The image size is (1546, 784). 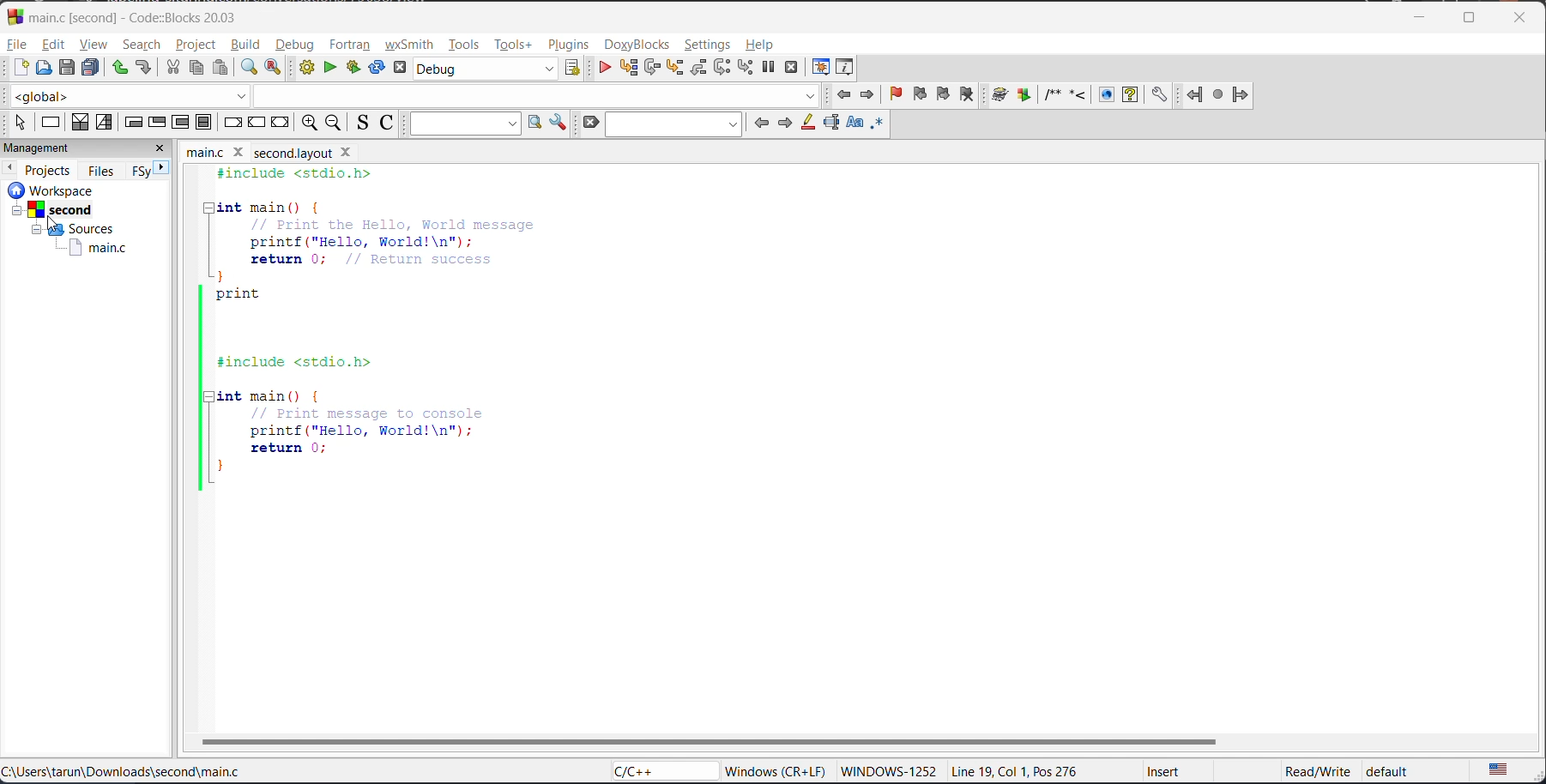 I want to click on previous, so click(x=763, y=125).